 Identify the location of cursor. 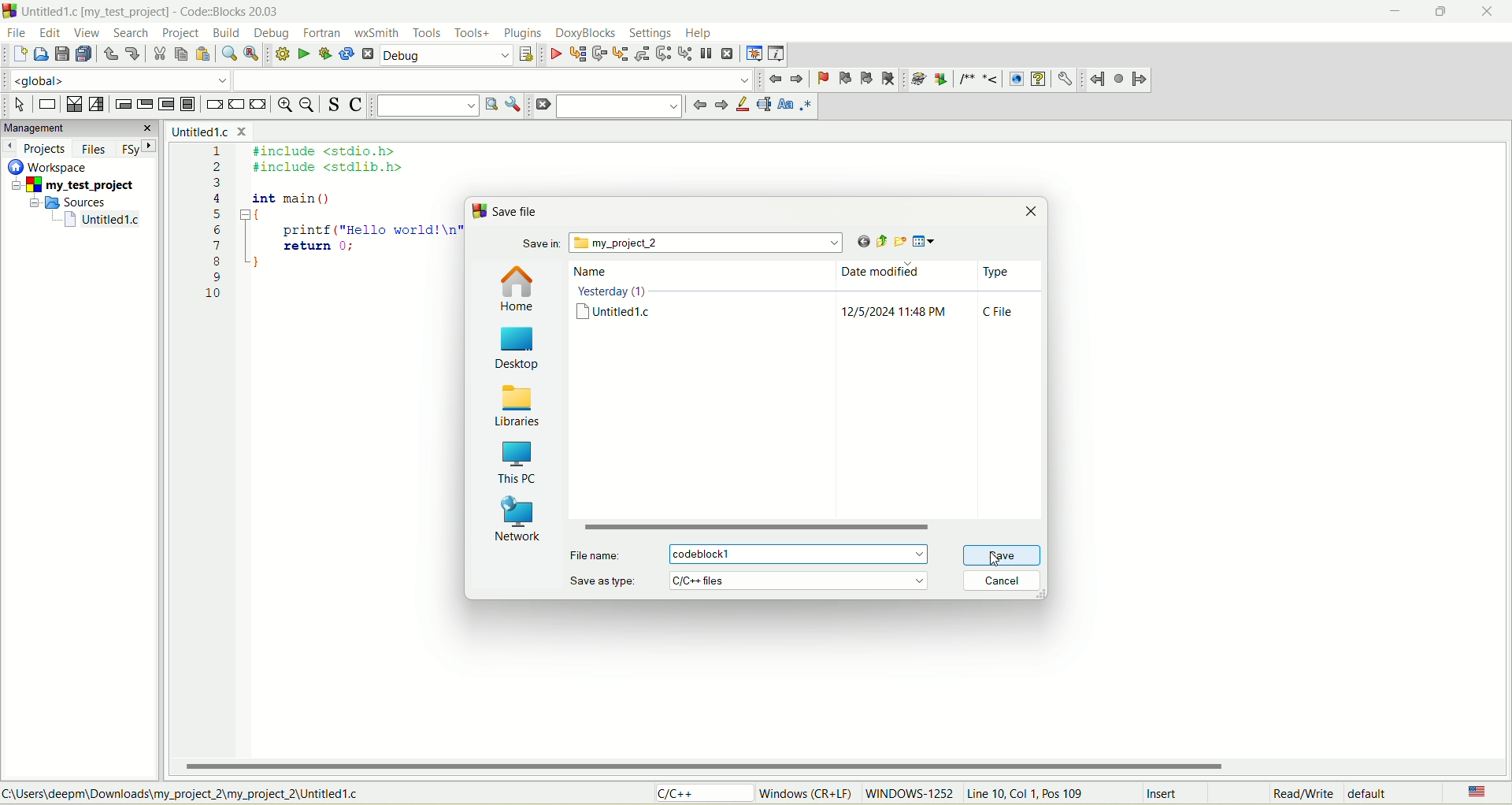
(1000, 562).